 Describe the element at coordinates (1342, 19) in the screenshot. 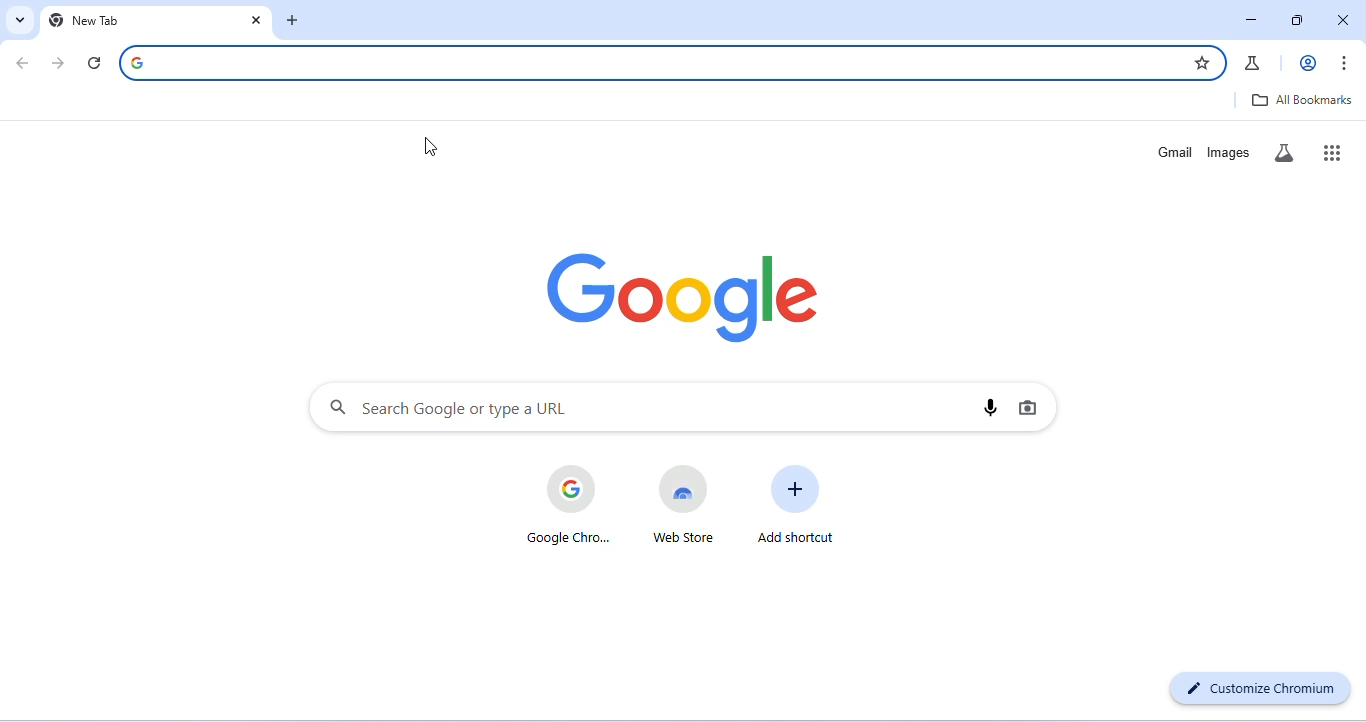

I see `close` at that location.